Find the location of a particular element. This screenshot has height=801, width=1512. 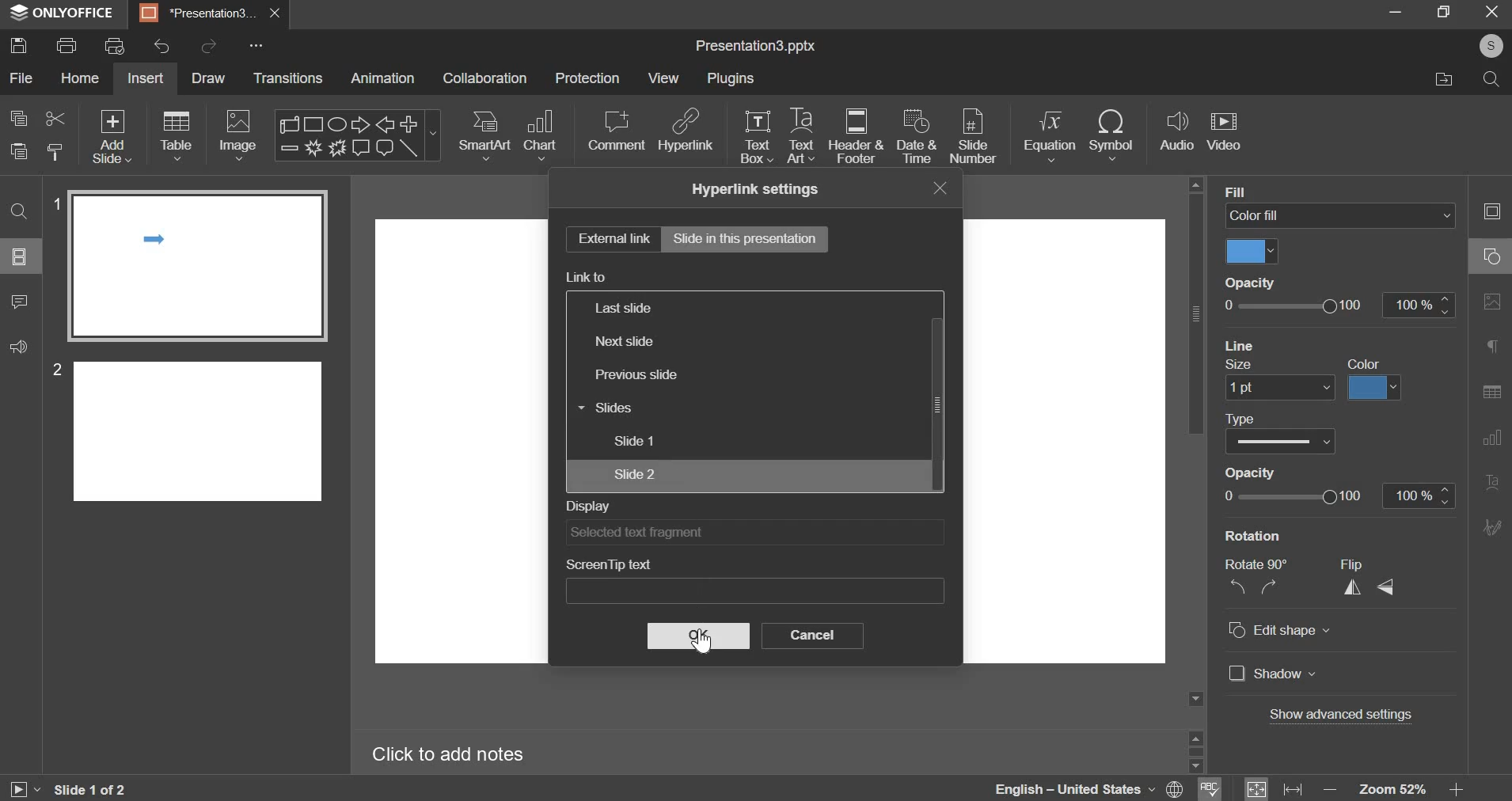

chart is located at coordinates (542, 135).